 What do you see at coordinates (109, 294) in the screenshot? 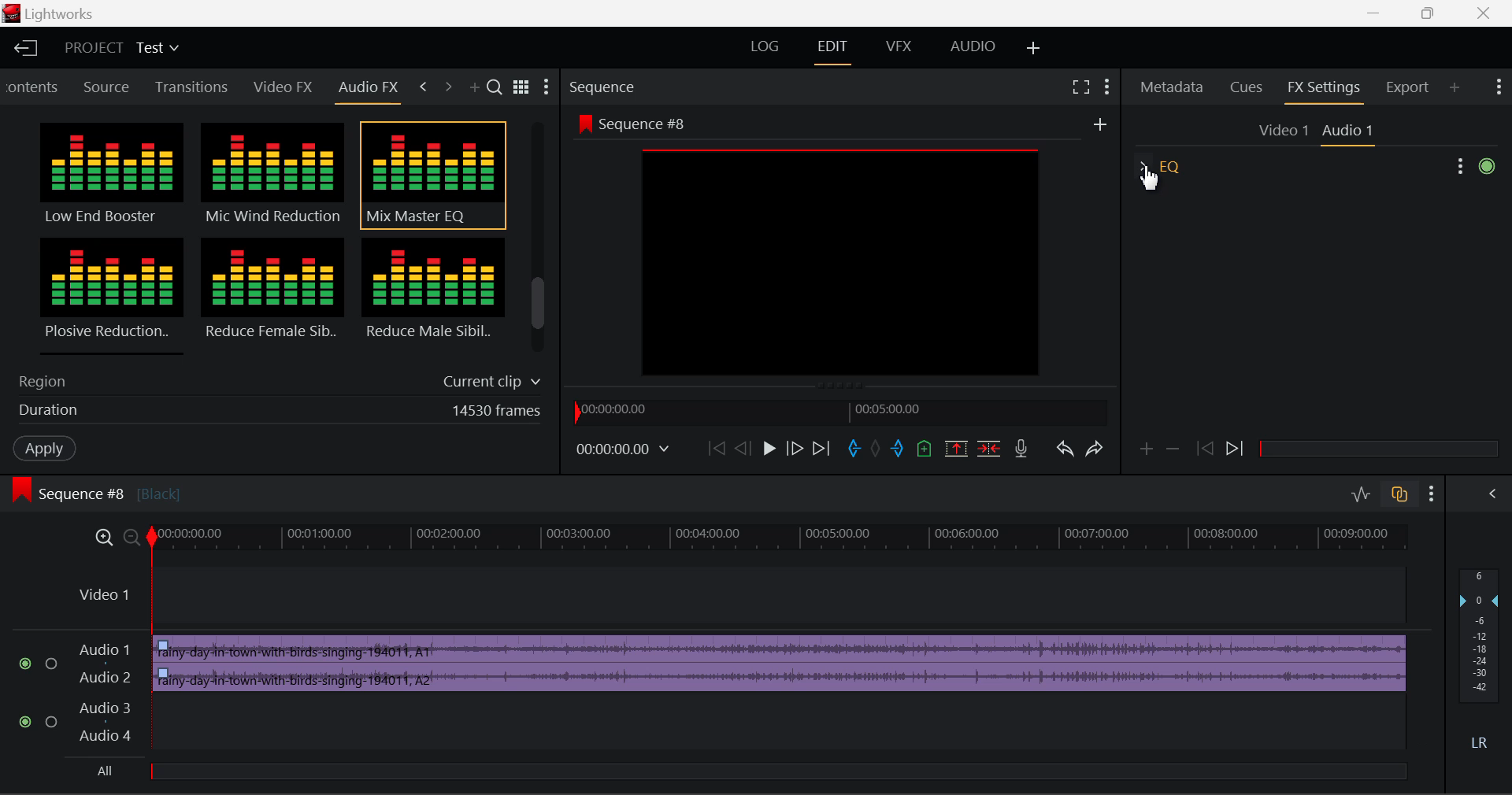
I see `Plosive Reduction` at bounding box center [109, 294].